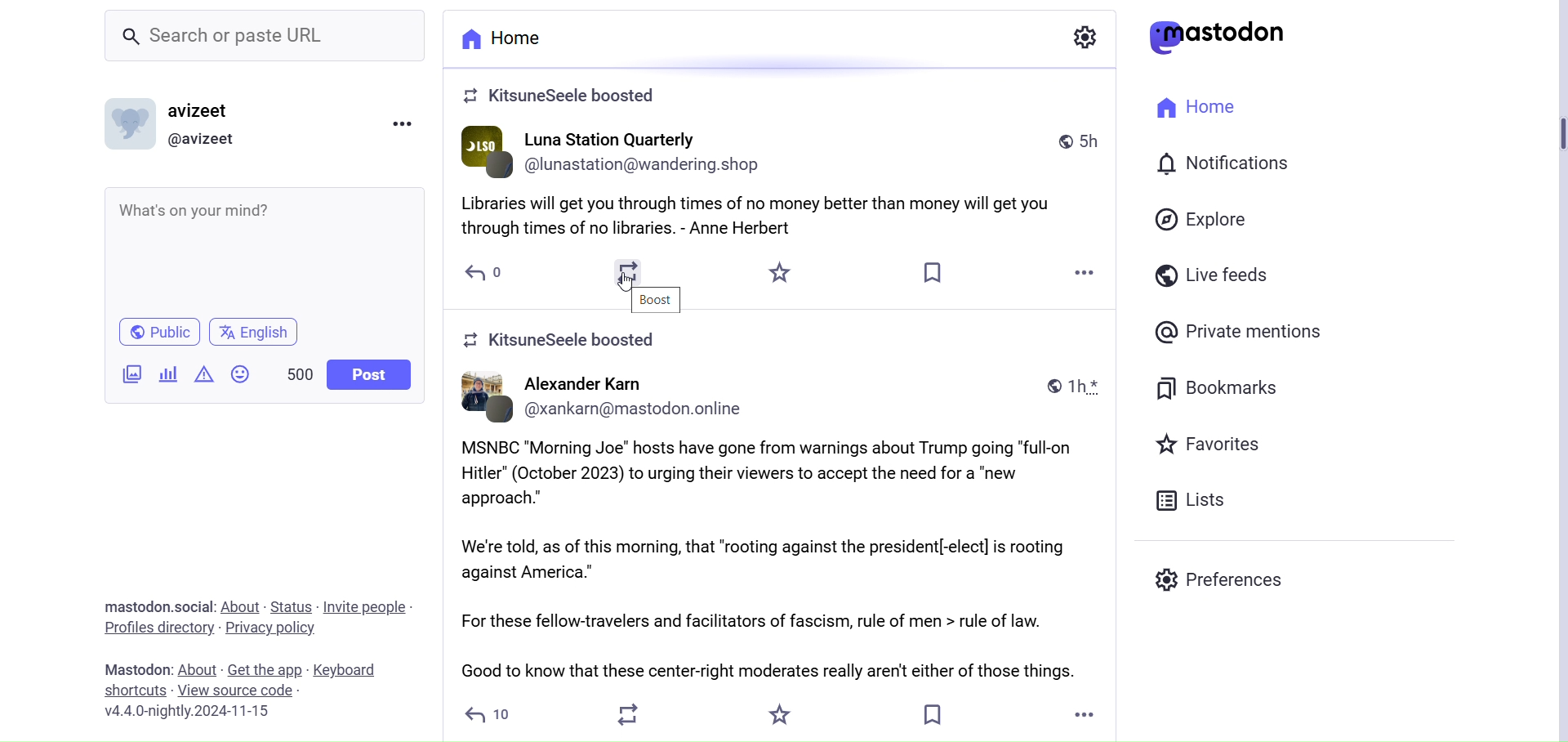 The width and height of the screenshot is (1568, 742). Describe the element at coordinates (786, 527) in the screenshot. I see `Post` at that location.